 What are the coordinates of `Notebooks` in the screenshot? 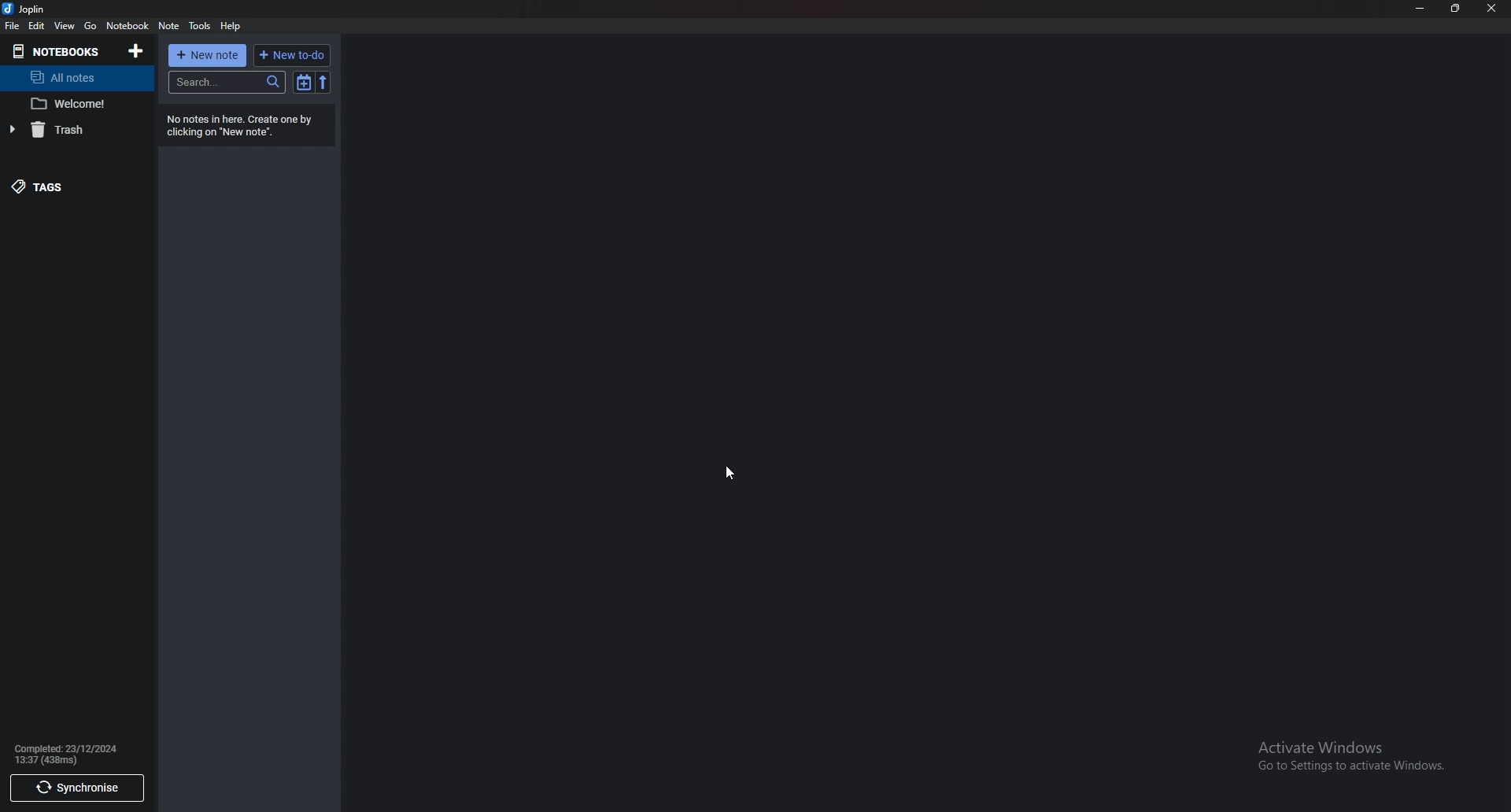 It's located at (63, 51).